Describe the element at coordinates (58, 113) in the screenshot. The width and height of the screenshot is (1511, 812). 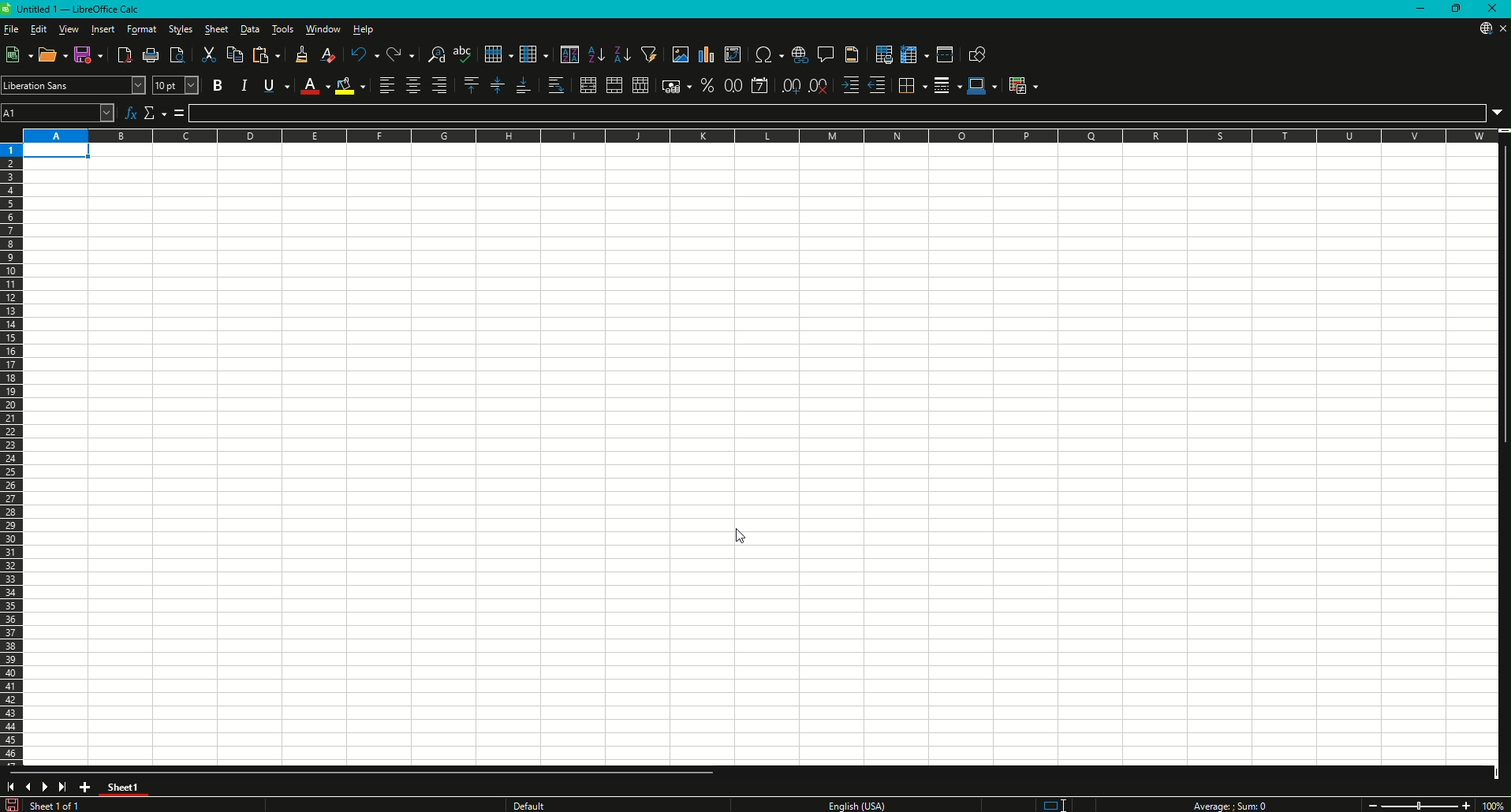
I see `Cell name Box` at that location.